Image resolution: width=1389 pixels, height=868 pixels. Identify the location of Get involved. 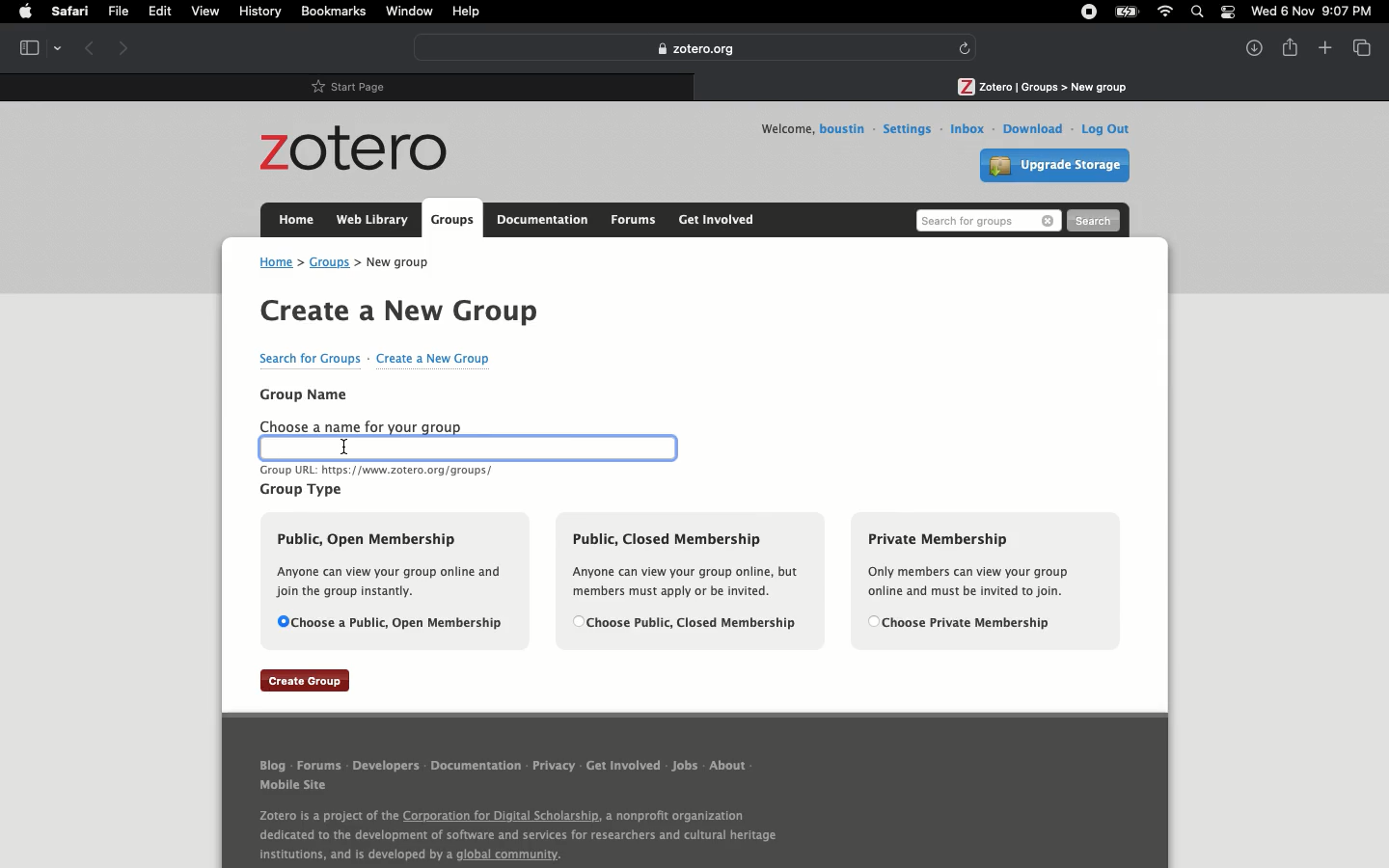
(622, 767).